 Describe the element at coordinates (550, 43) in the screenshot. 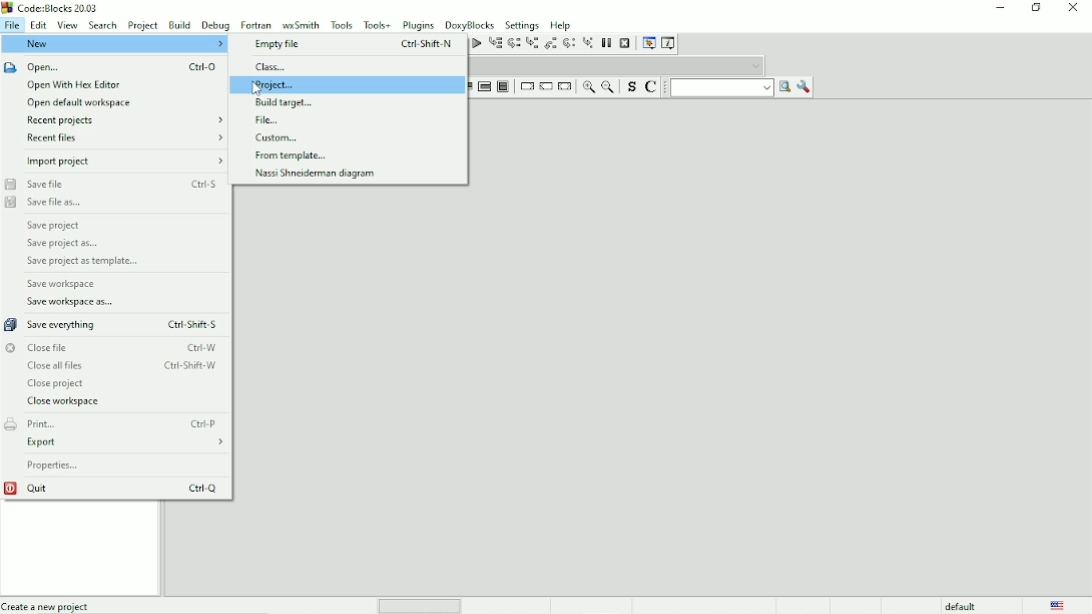

I see `Step out` at that location.